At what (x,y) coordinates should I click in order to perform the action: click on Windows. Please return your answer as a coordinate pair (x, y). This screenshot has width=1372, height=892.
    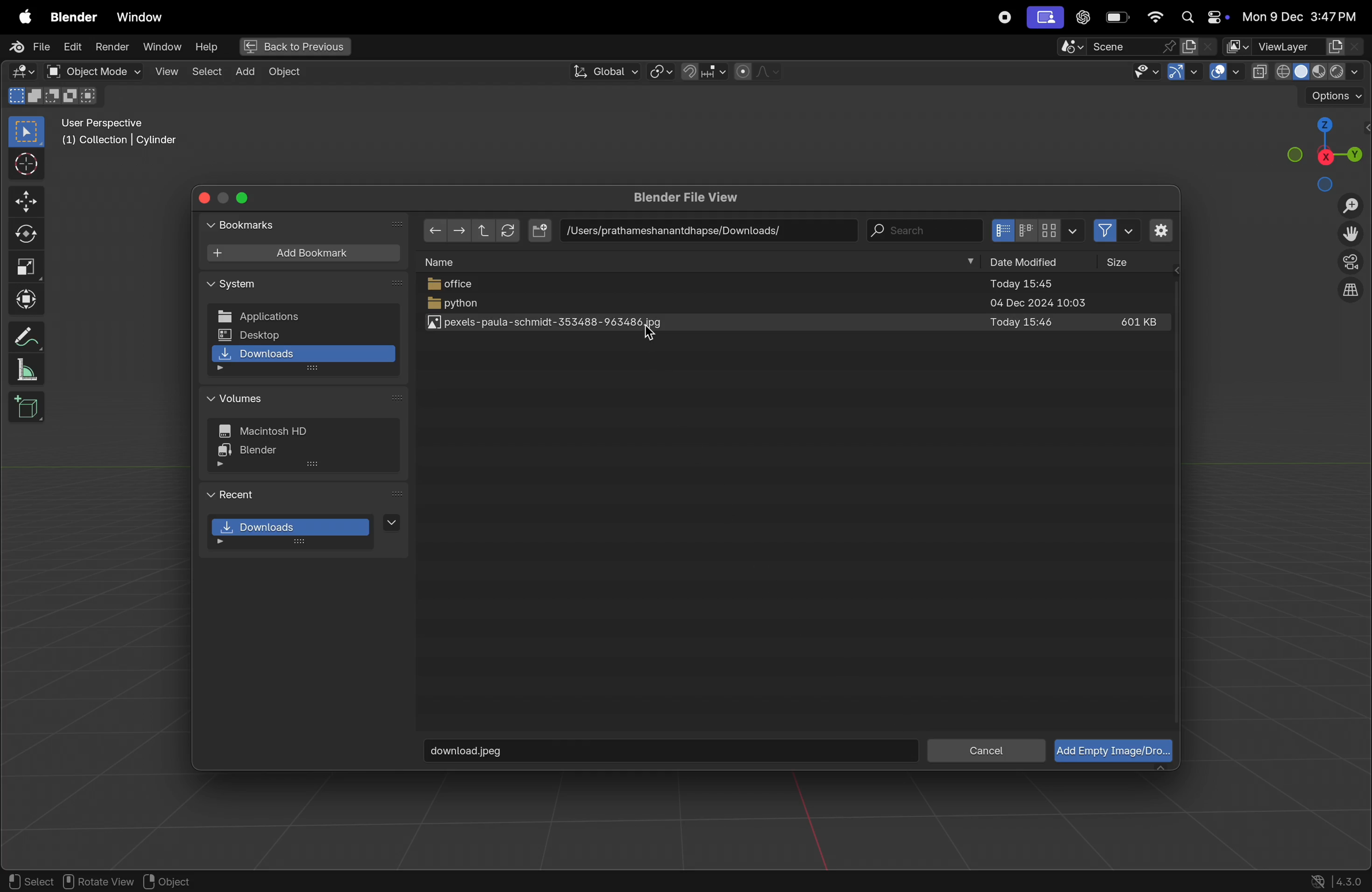
    Looking at the image, I should click on (140, 14).